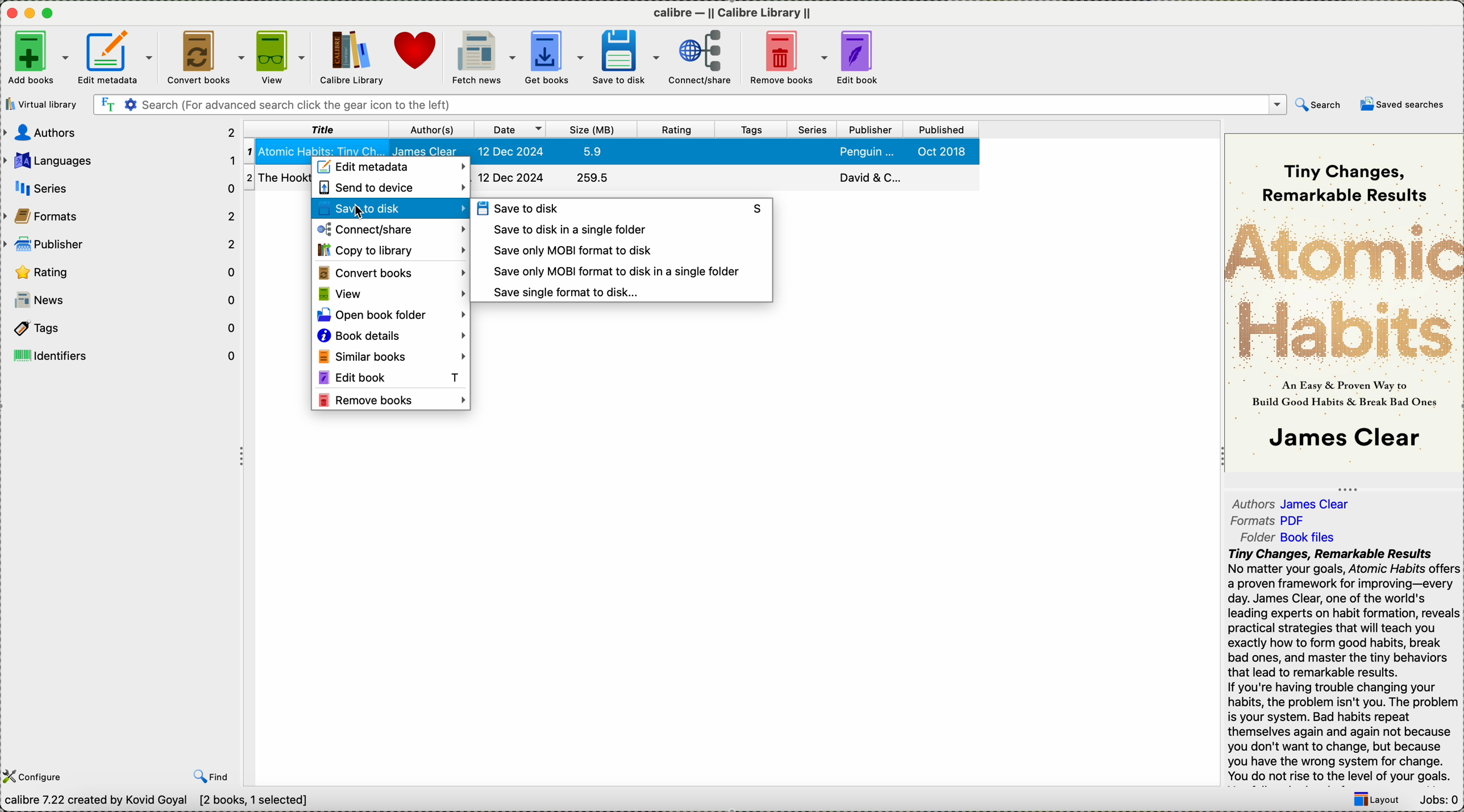  Describe the element at coordinates (1317, 104) in the screenshot. I see `search` at that location.